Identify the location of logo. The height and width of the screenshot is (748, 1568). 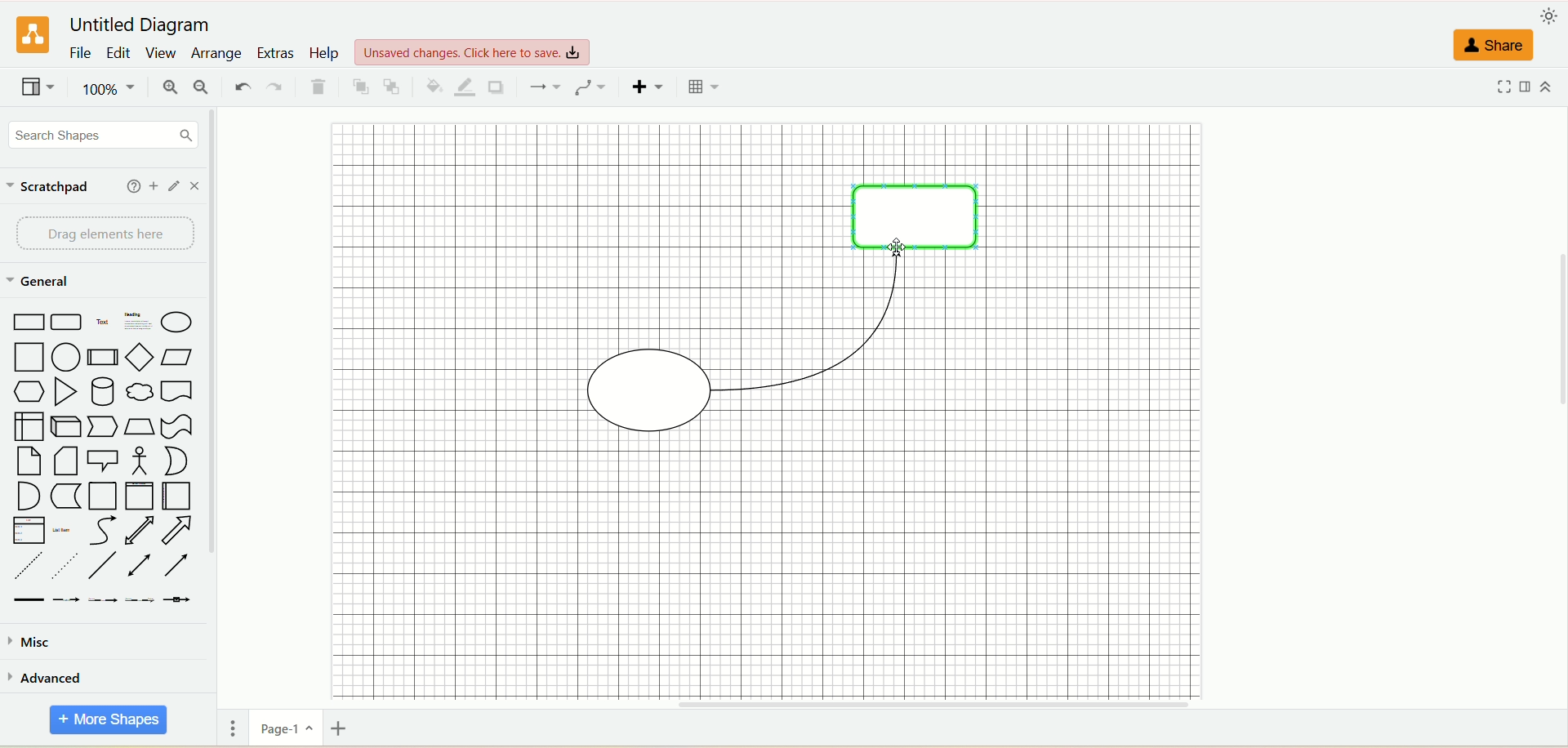
(30, 36).